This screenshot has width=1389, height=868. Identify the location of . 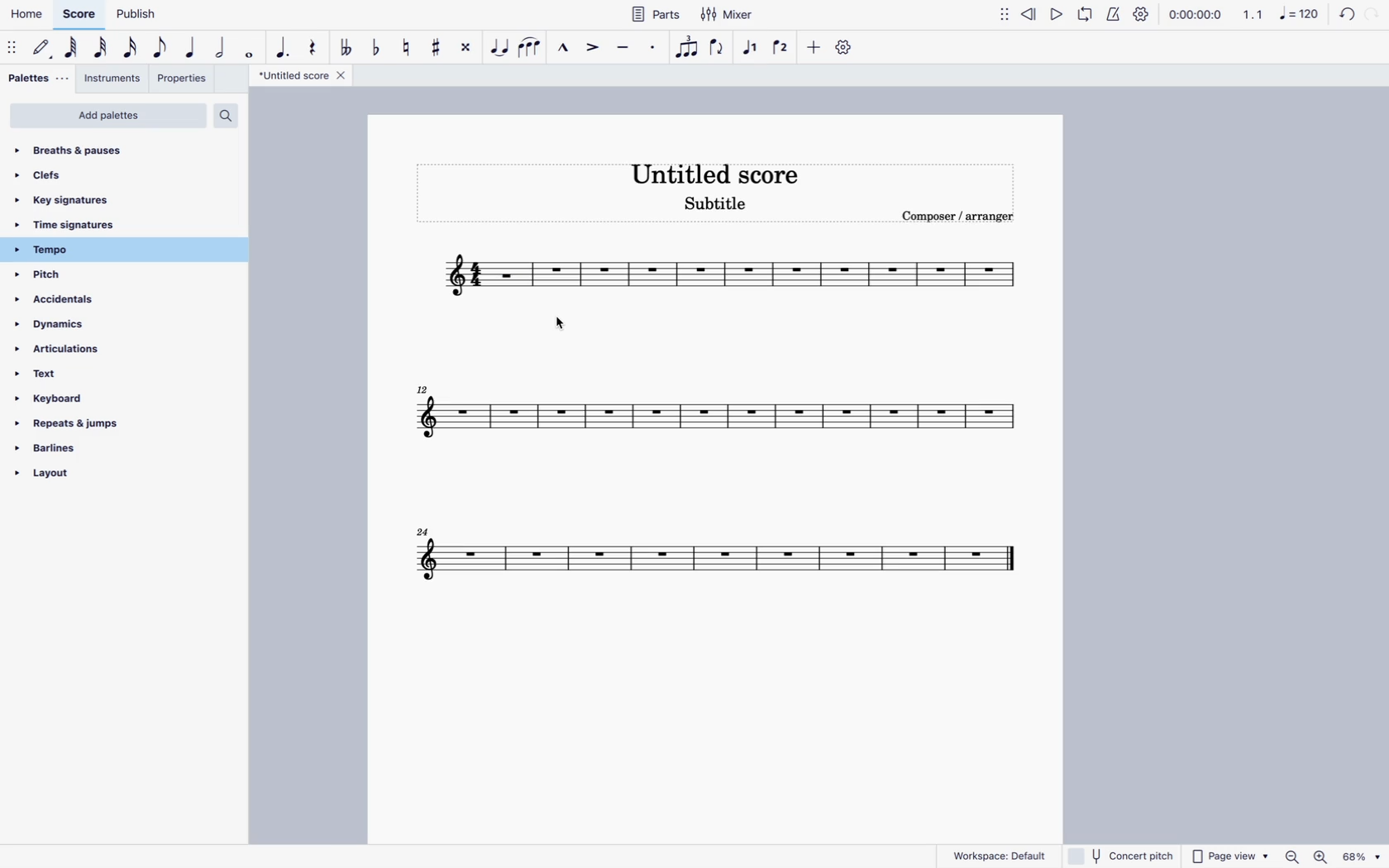
(1364, 856).